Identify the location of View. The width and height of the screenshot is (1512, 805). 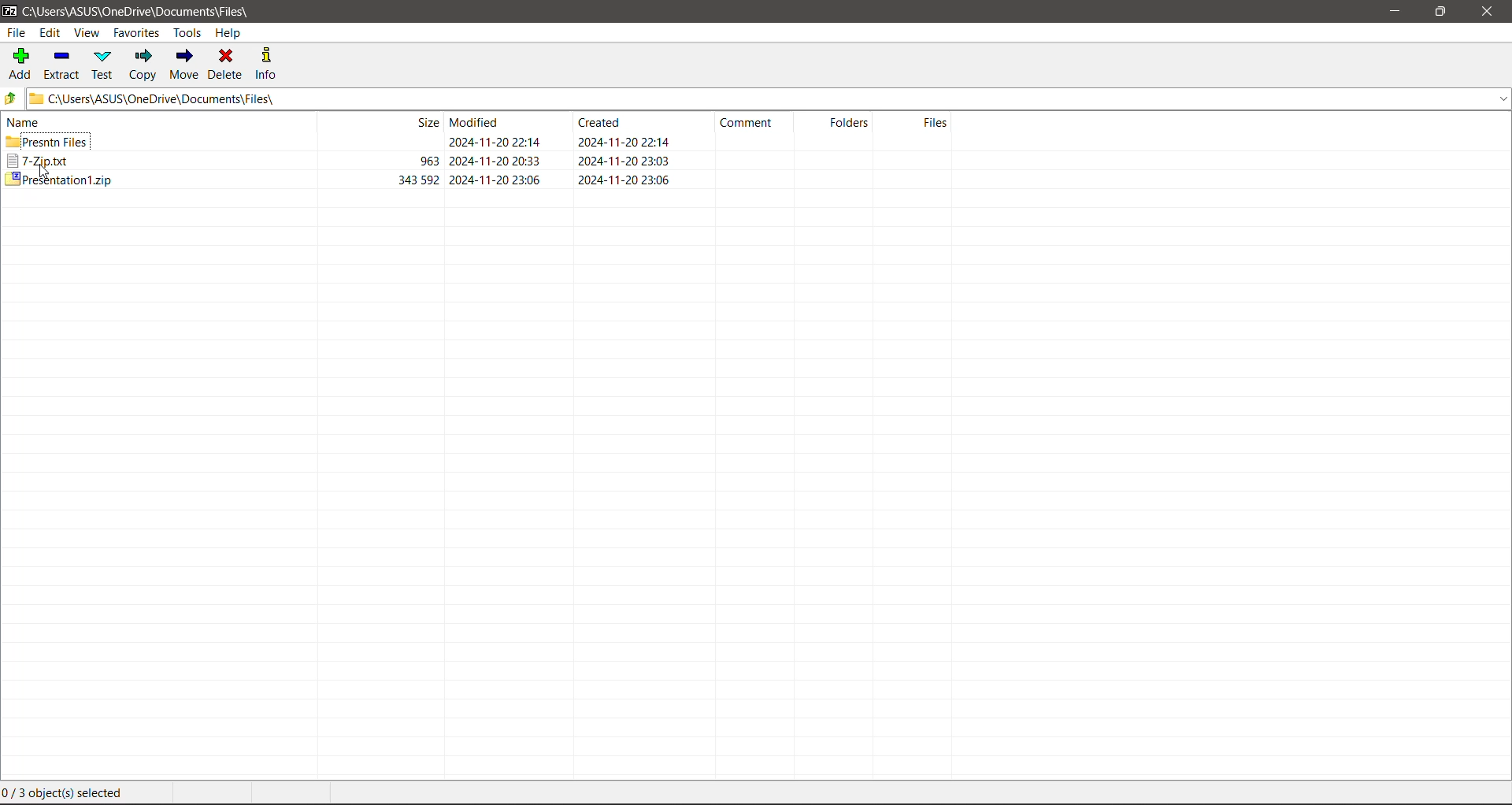
(87, 34).